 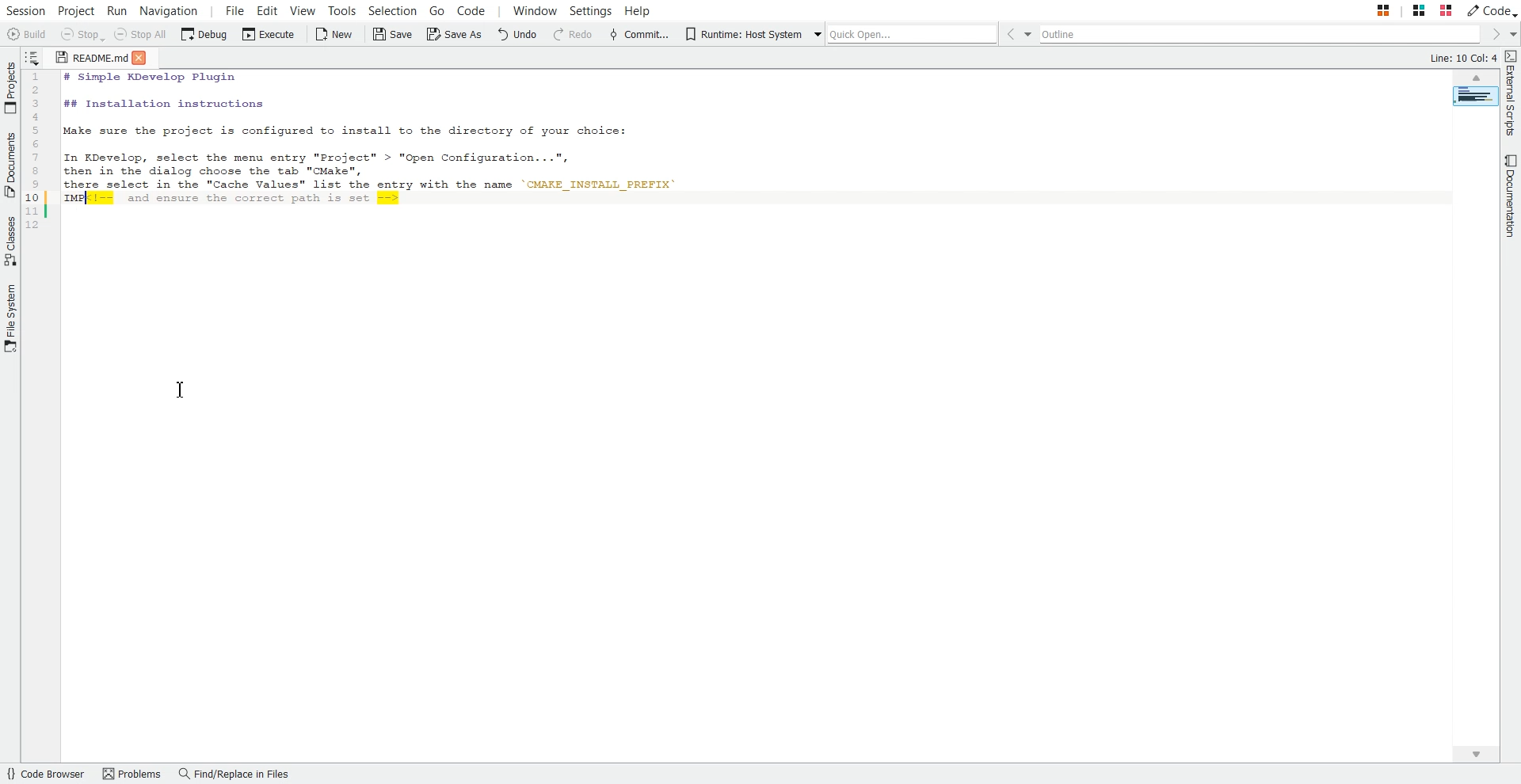 I want to click on Documentation, so click(x=1511, y=196).